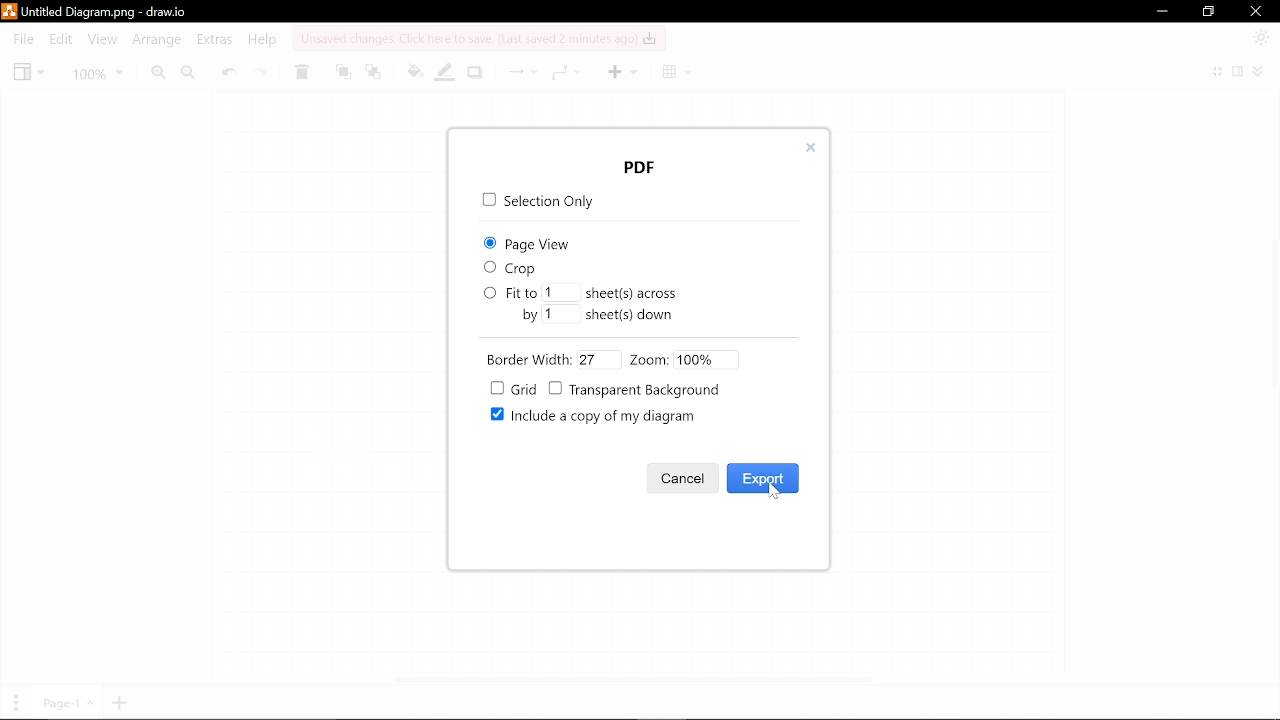  What do you see at coordinates (639, 167) in the screenshot?
I see `pop up window title` at bounding box center [639, 167].